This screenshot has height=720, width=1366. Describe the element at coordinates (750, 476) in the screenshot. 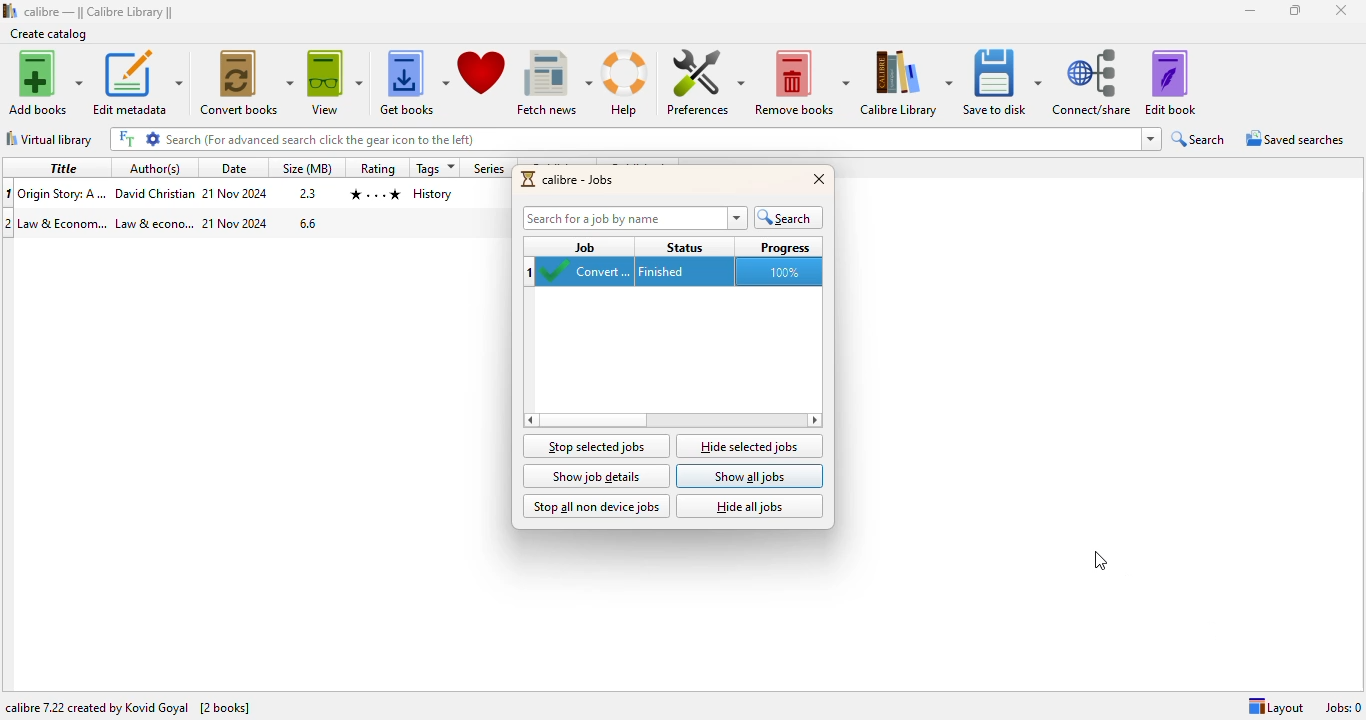

I see `show all jobs` at that location.